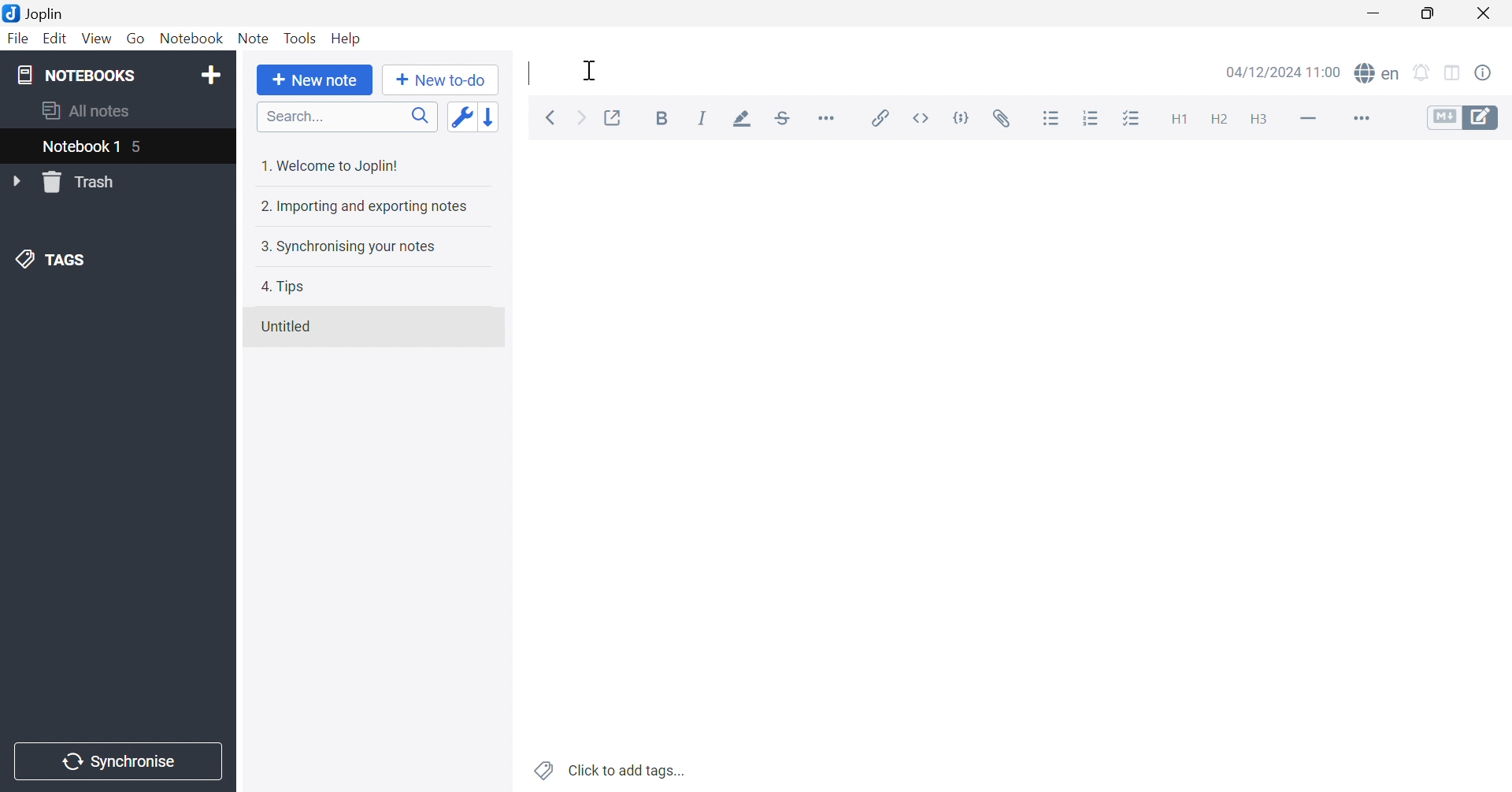 This screenshot has height=792, width=1512. Describe the element at coordinates (1435, 15) in the screenshot. I see `Restore Down` at that location.